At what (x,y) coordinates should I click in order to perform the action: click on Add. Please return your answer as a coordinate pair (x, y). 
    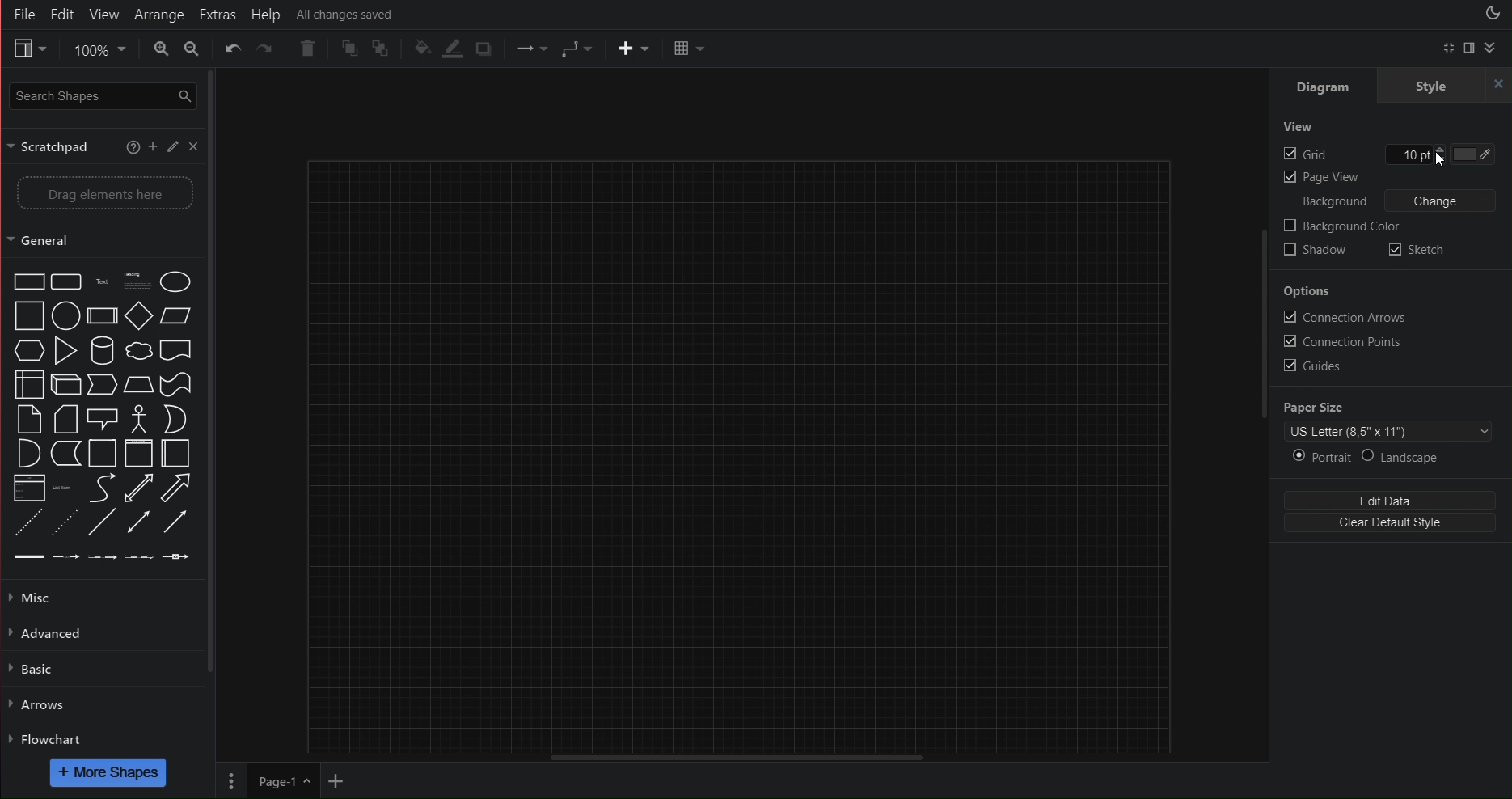
    Looking at the image, I should click on (153, 148).